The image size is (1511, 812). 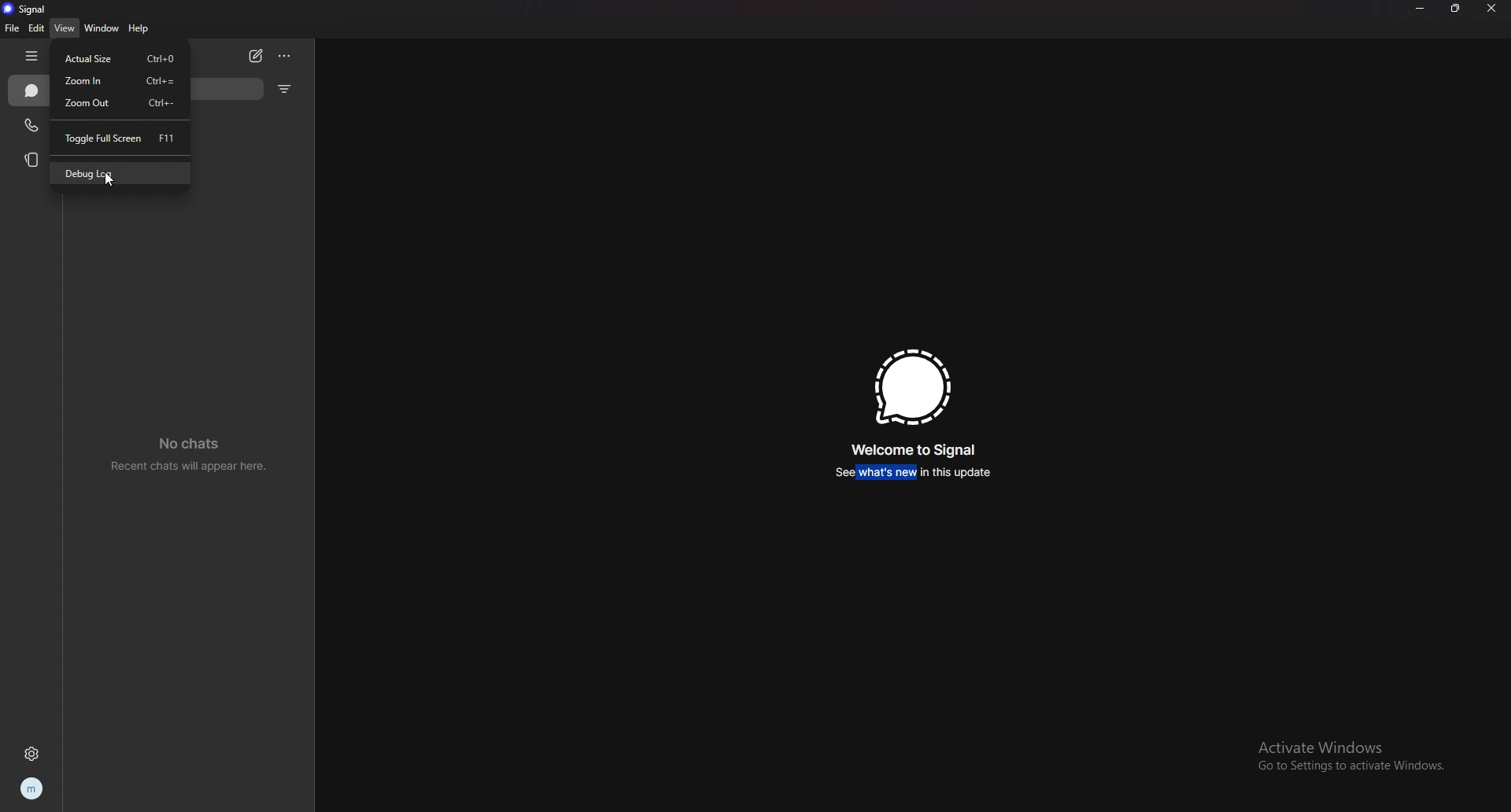 What do you see at coordinates (102, 28) in the screenshot?
I see `window` at bounding box center [102, 28].